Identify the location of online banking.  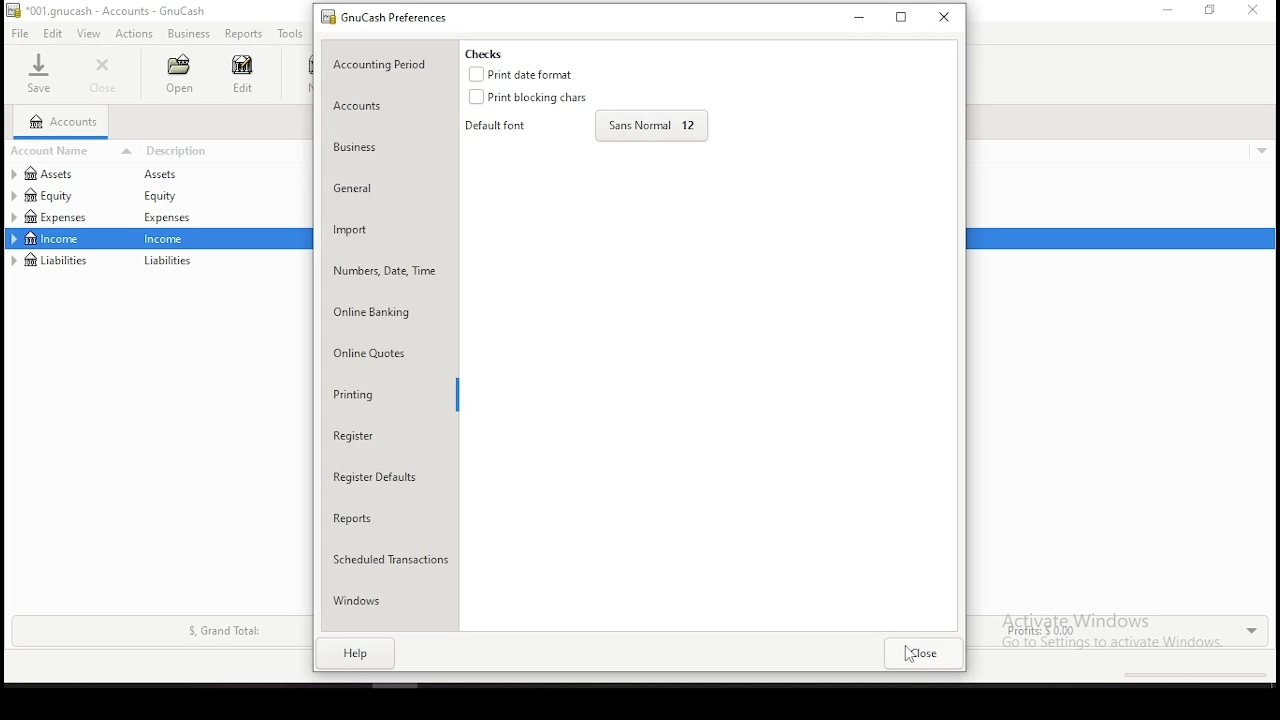
(386, 314).